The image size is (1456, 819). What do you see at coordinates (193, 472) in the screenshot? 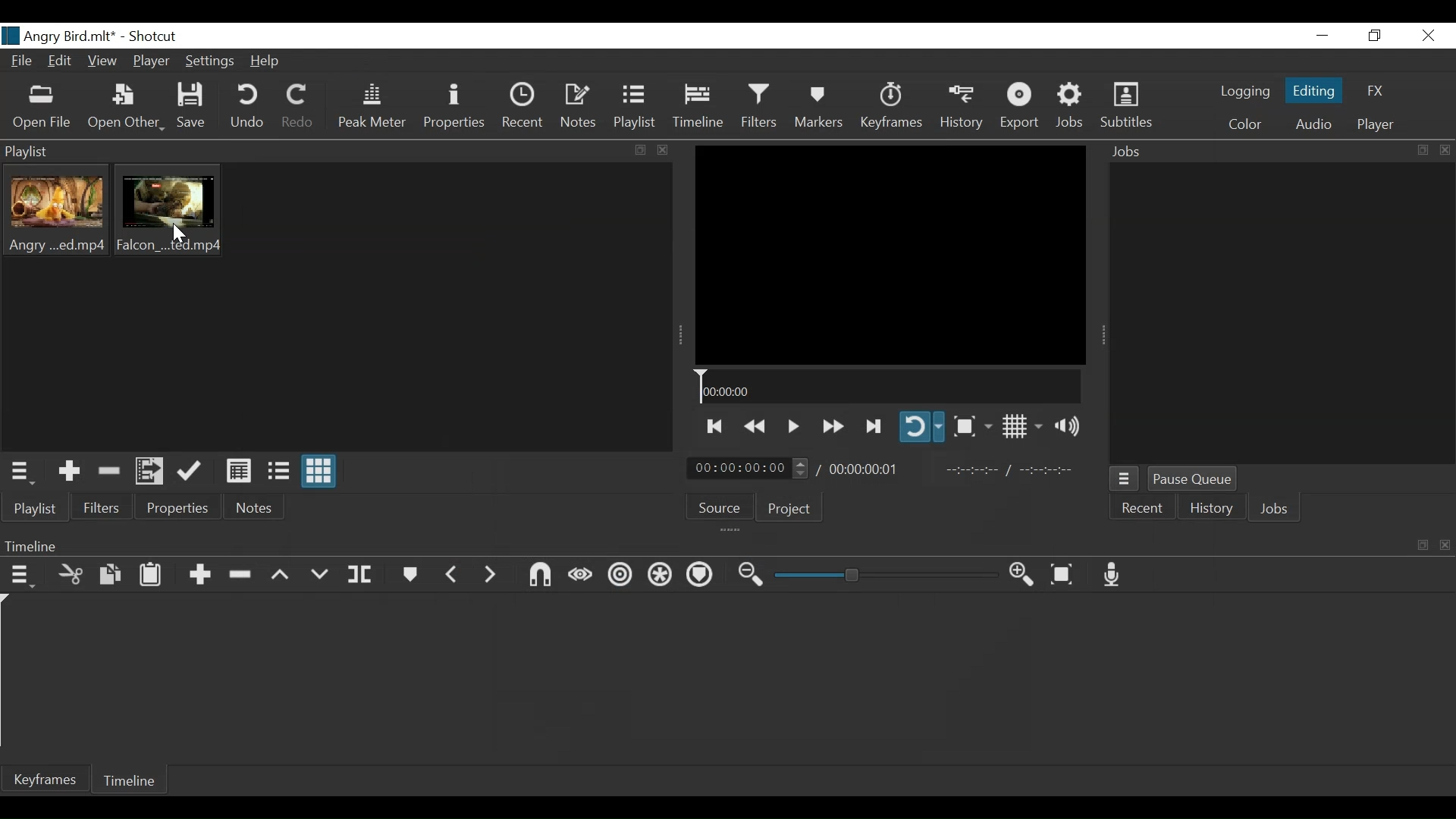
I see `Update` at bounding box center [193, 472].